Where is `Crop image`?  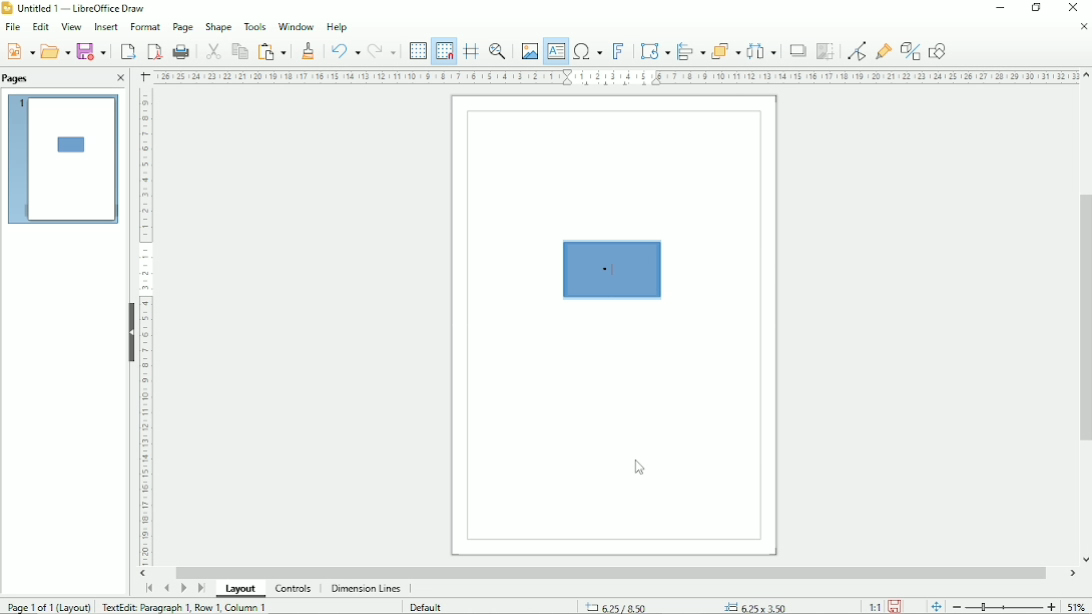 Crop image is located at coordinates (825, 52).